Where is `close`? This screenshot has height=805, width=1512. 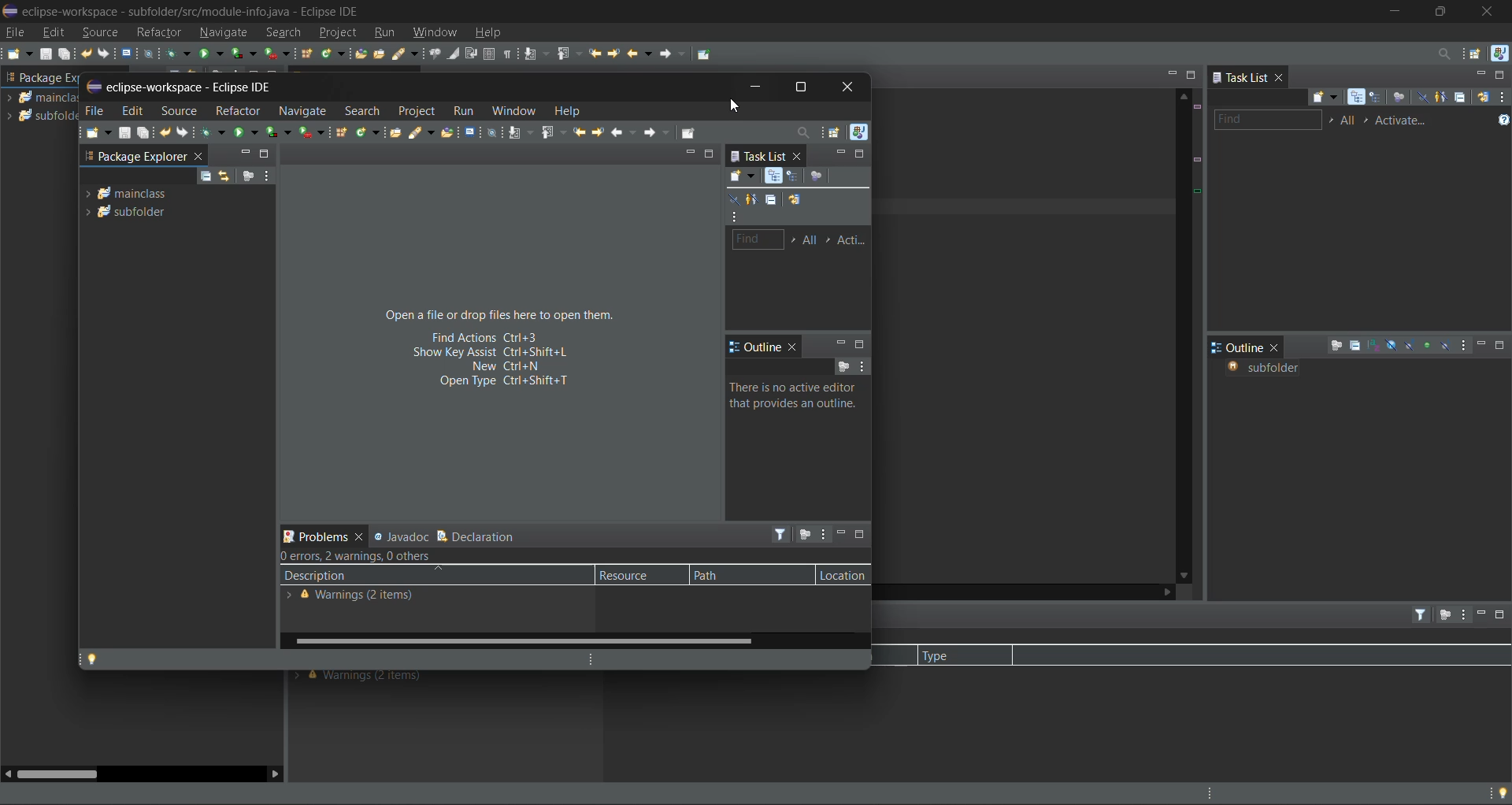 close is located at coordinates (1276, 347).